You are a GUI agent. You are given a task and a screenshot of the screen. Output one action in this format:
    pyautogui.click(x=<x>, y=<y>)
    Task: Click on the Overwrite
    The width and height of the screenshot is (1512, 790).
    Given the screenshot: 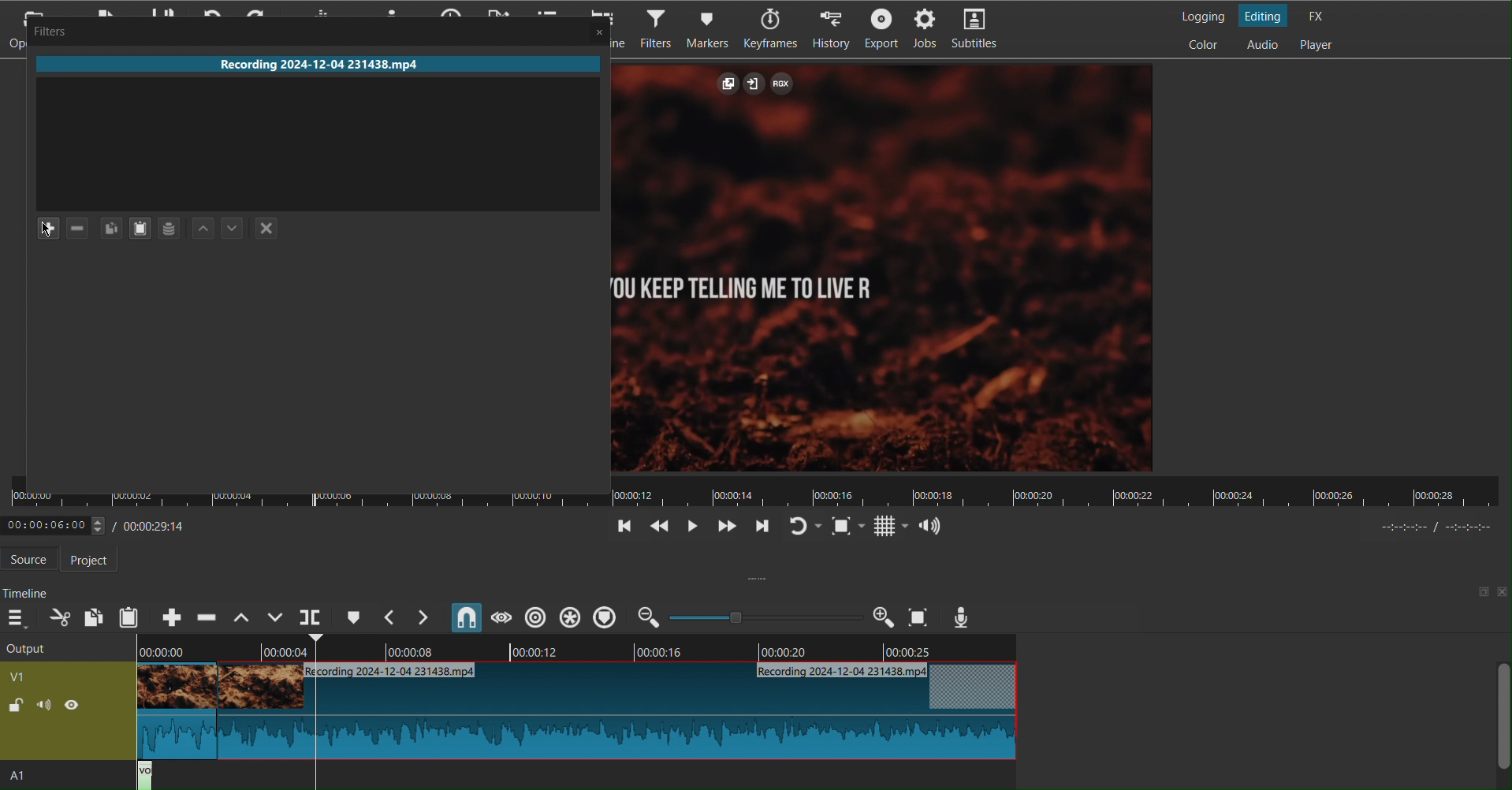 What is the action you would take?
    pyautogui.click(x=275, y=617)
    